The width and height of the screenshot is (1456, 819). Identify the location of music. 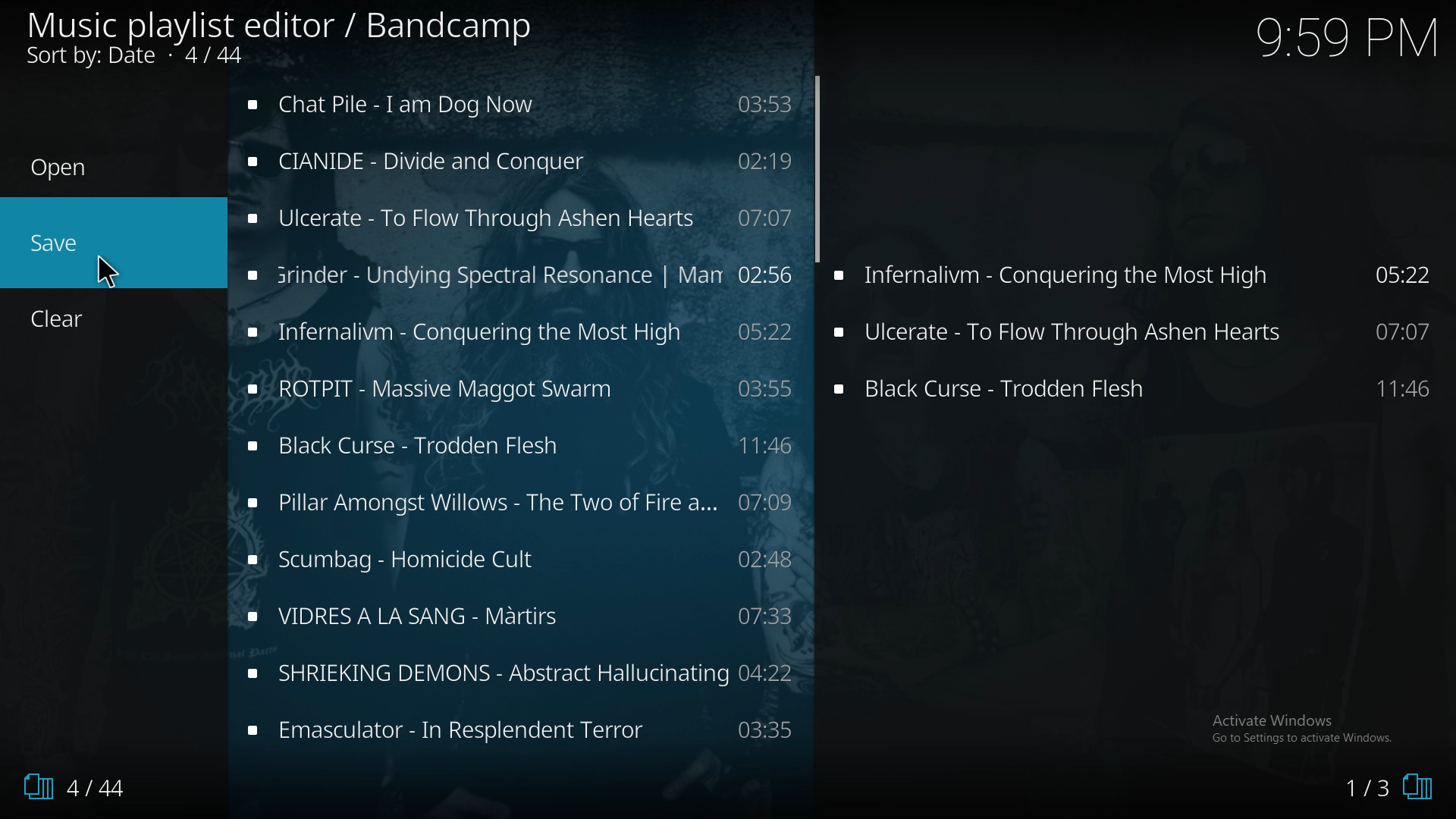
(517, 387).